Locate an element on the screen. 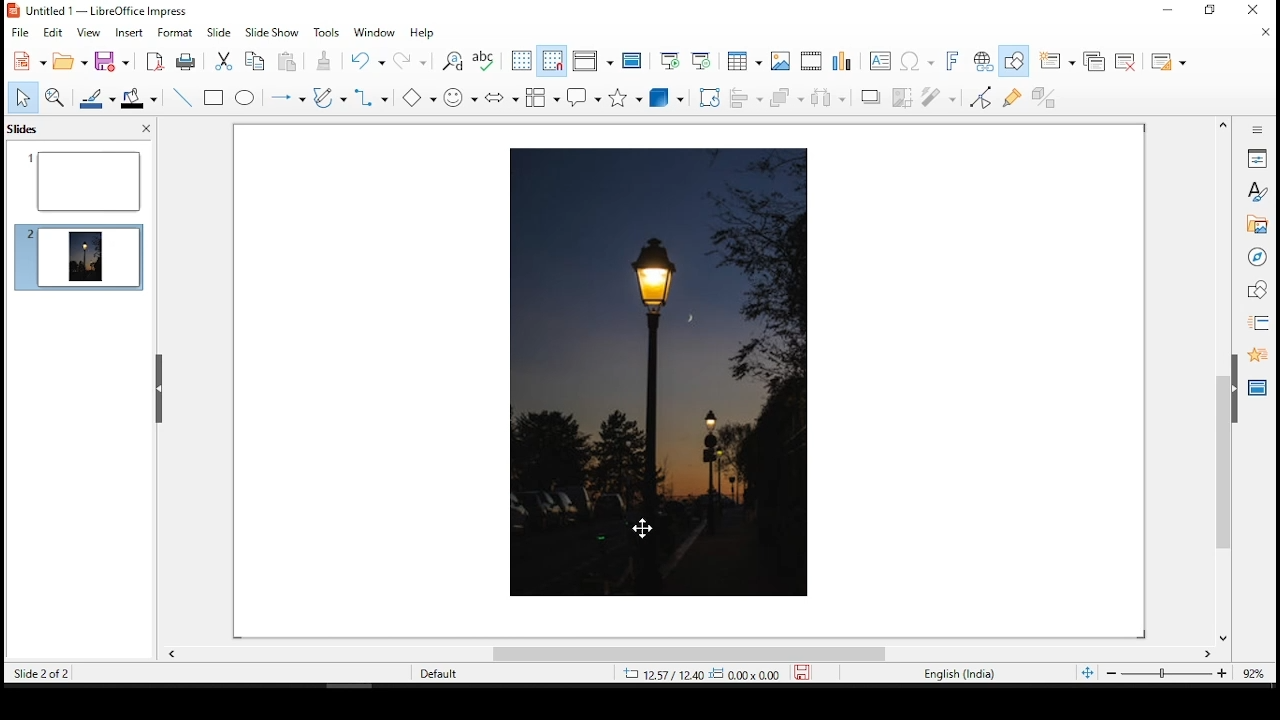 Image resolution: width=1280 pixels, height=720 pixels. spell check is located at coordinates (486, 60).